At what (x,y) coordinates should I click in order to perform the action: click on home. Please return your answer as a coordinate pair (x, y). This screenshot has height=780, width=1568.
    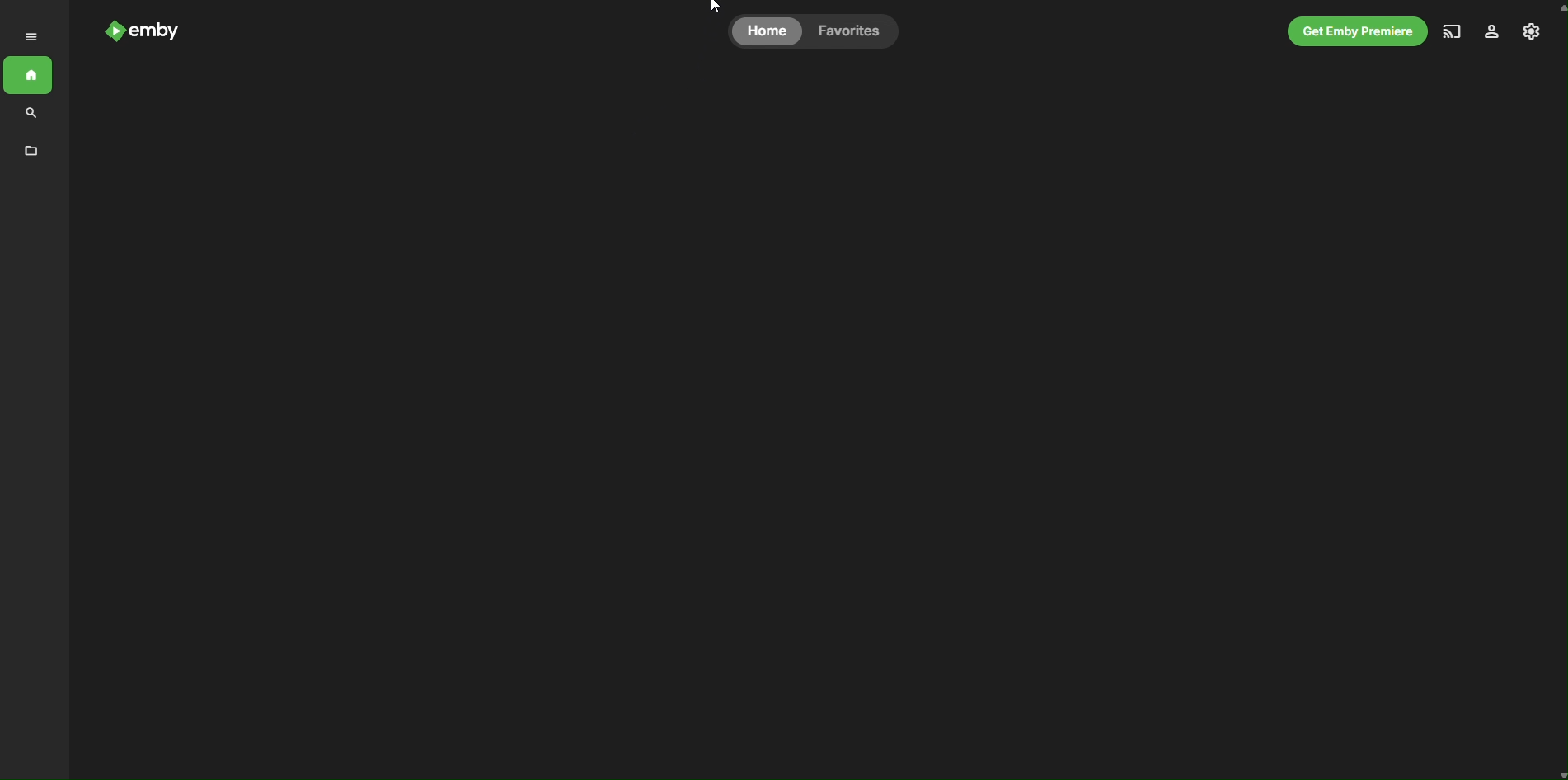
    Looking at the image, I should click on (767, 32).